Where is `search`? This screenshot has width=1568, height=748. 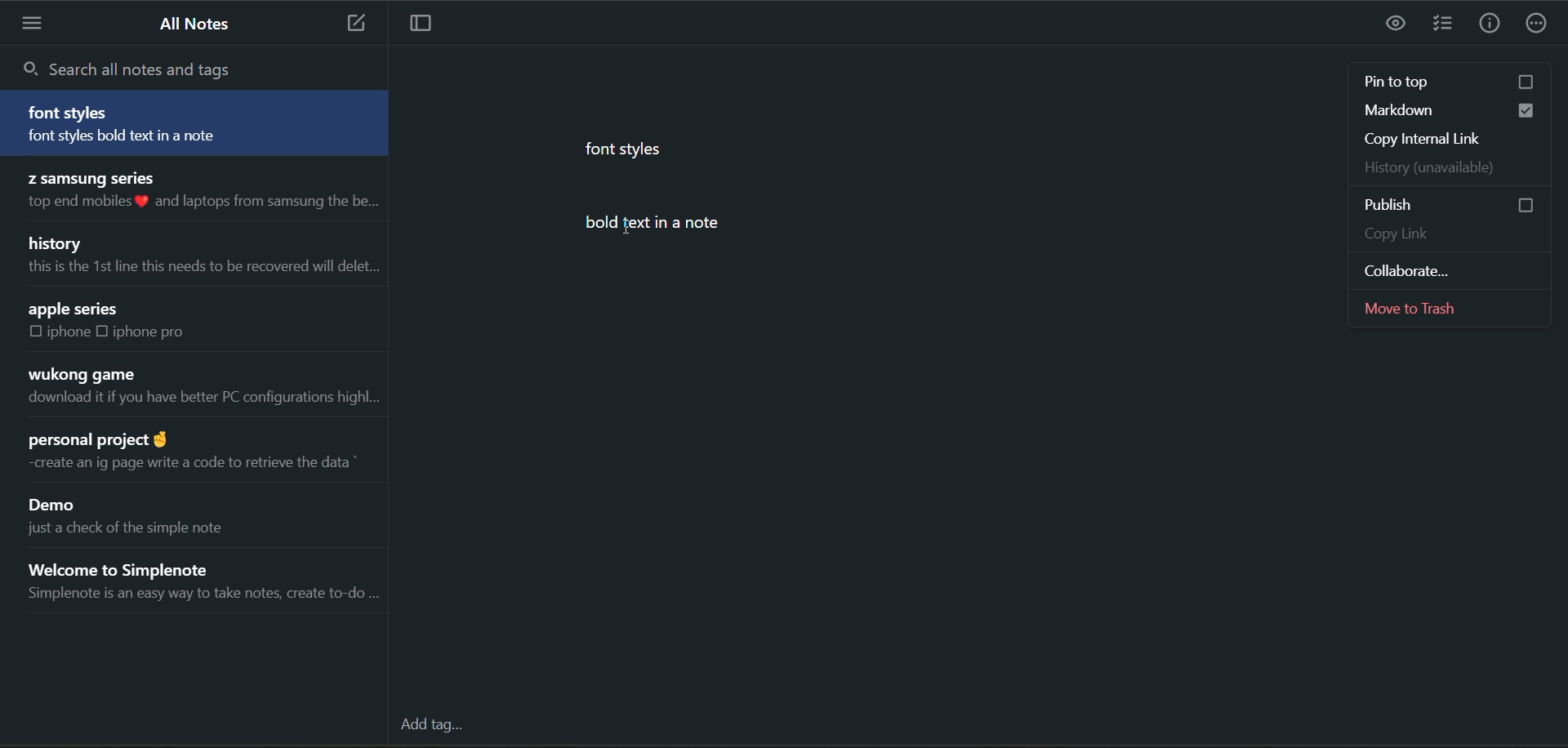 search is located at coordinates (136, 68).